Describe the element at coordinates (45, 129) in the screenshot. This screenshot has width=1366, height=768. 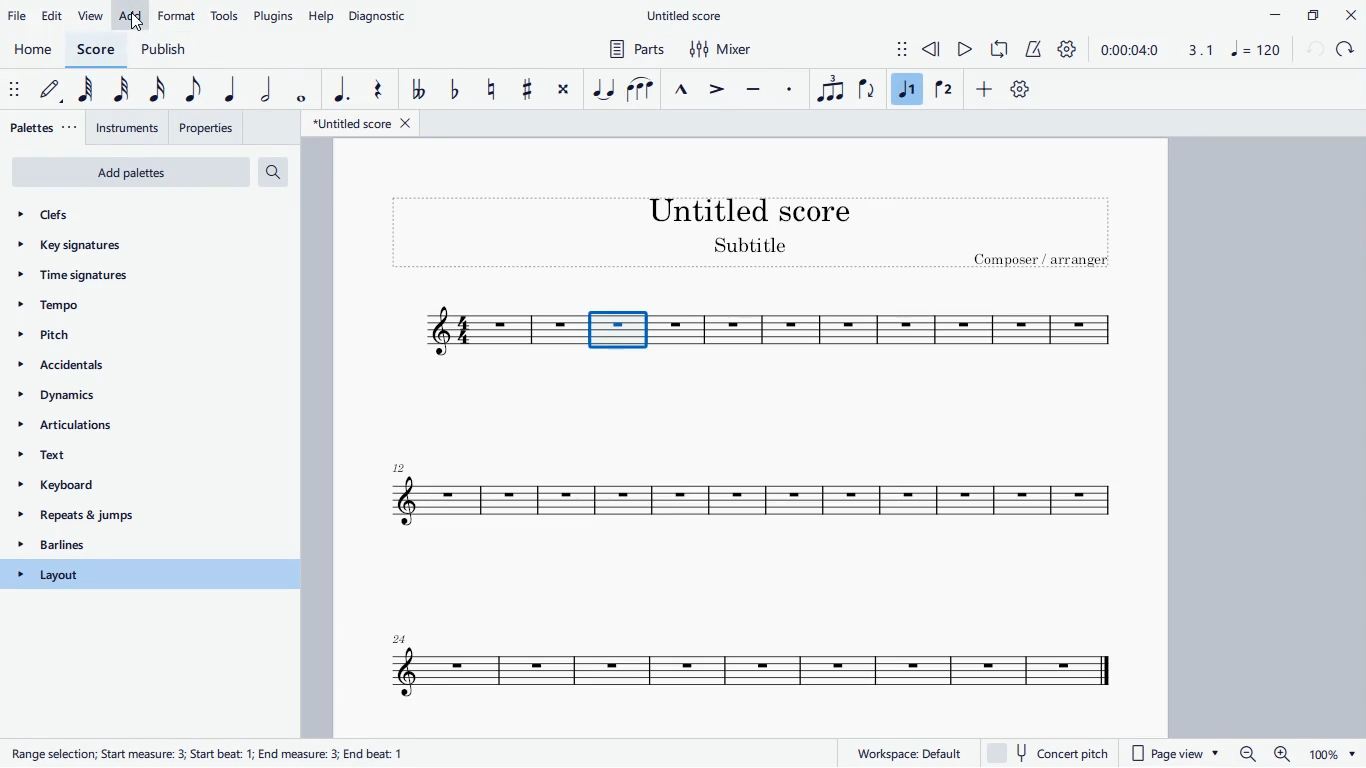
I see `palettes` at that location.